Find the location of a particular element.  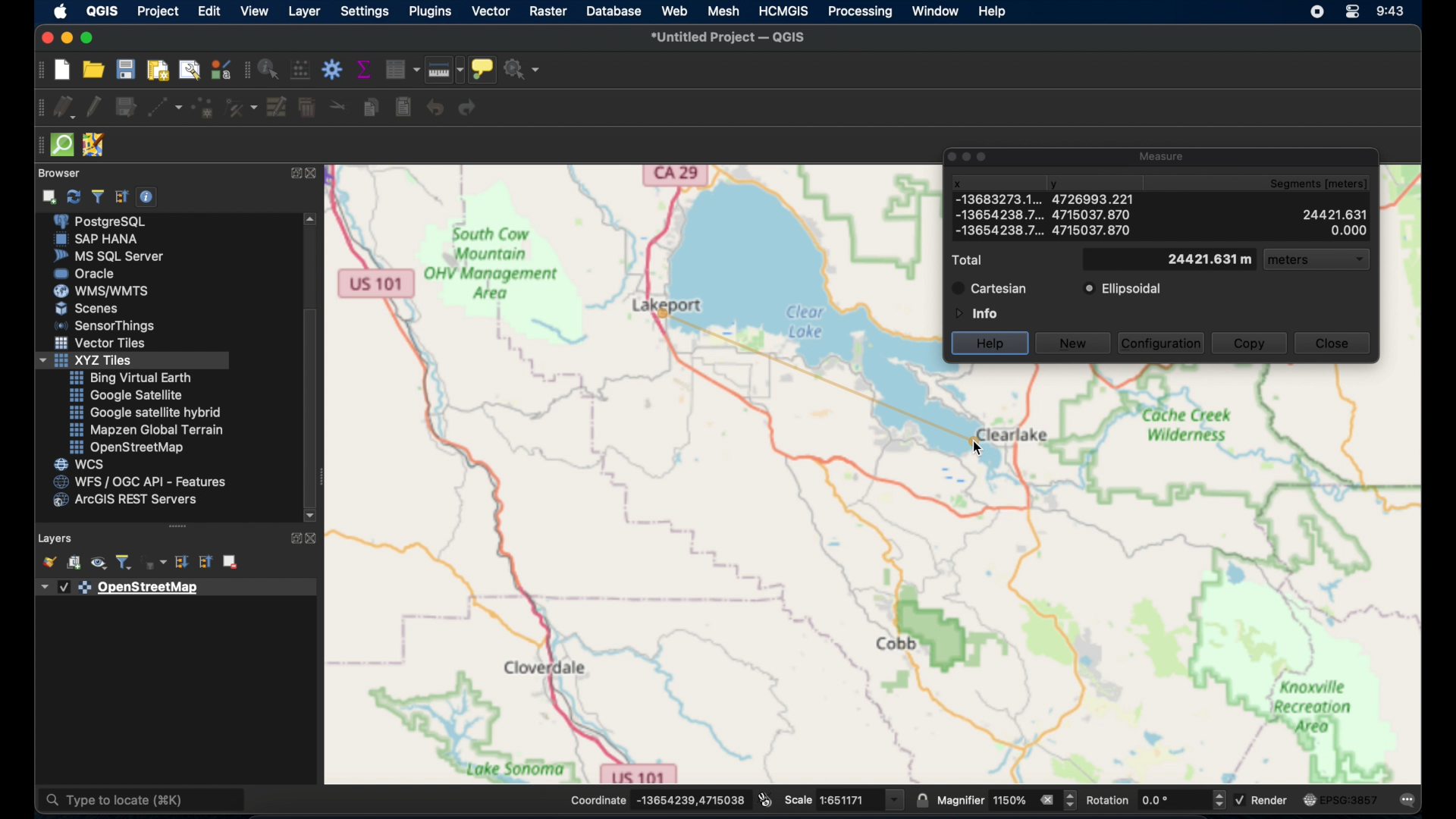

measure line is located at coordinates (444, 70).